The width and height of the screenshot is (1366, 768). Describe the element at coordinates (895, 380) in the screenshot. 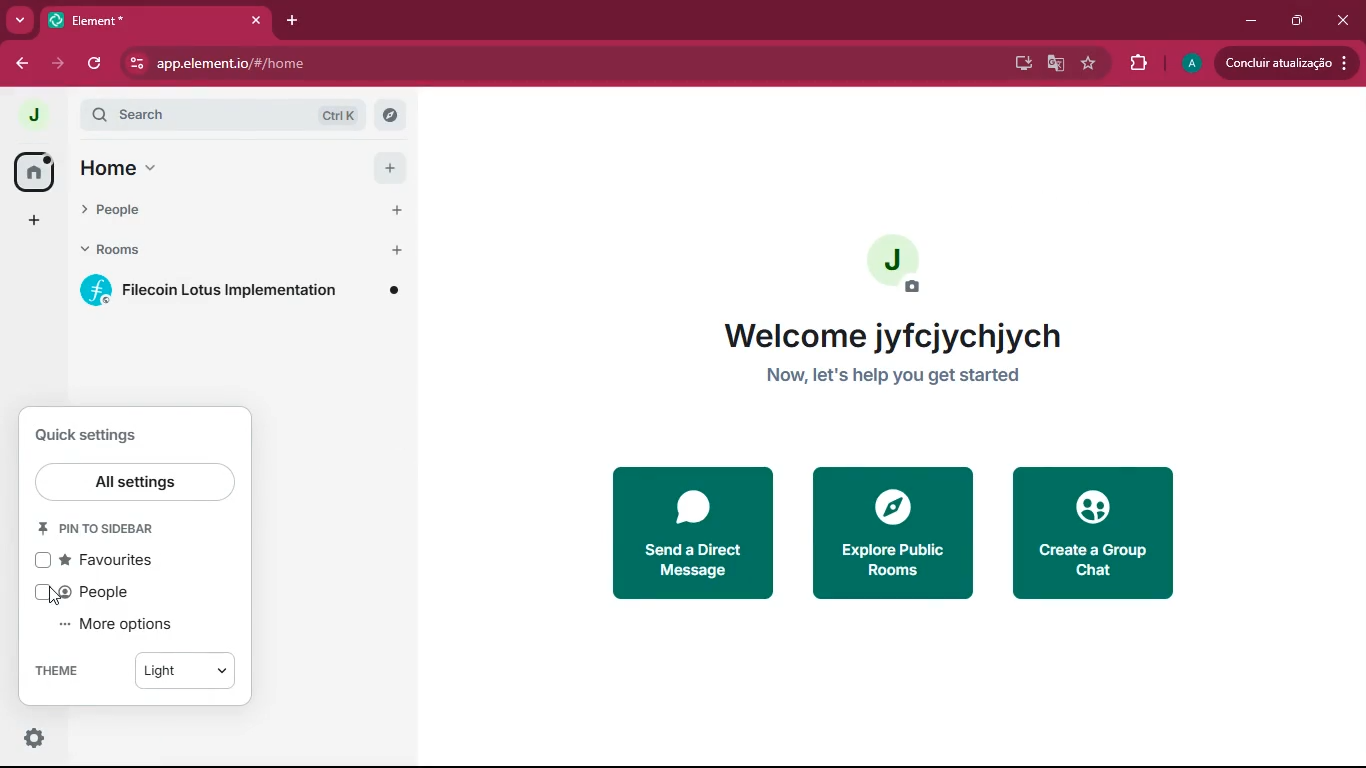

I see `Now, let's help you get started` at that location.